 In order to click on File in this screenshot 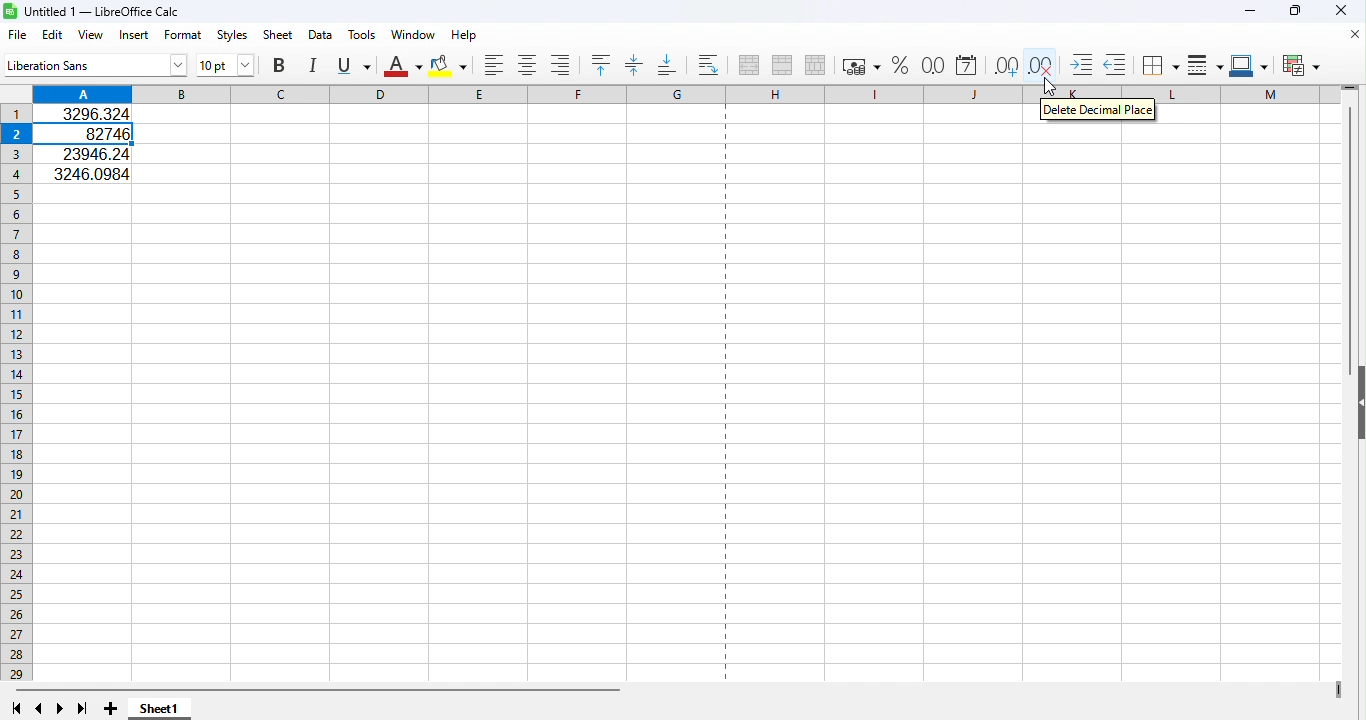, I will do `click(17, 34)`.